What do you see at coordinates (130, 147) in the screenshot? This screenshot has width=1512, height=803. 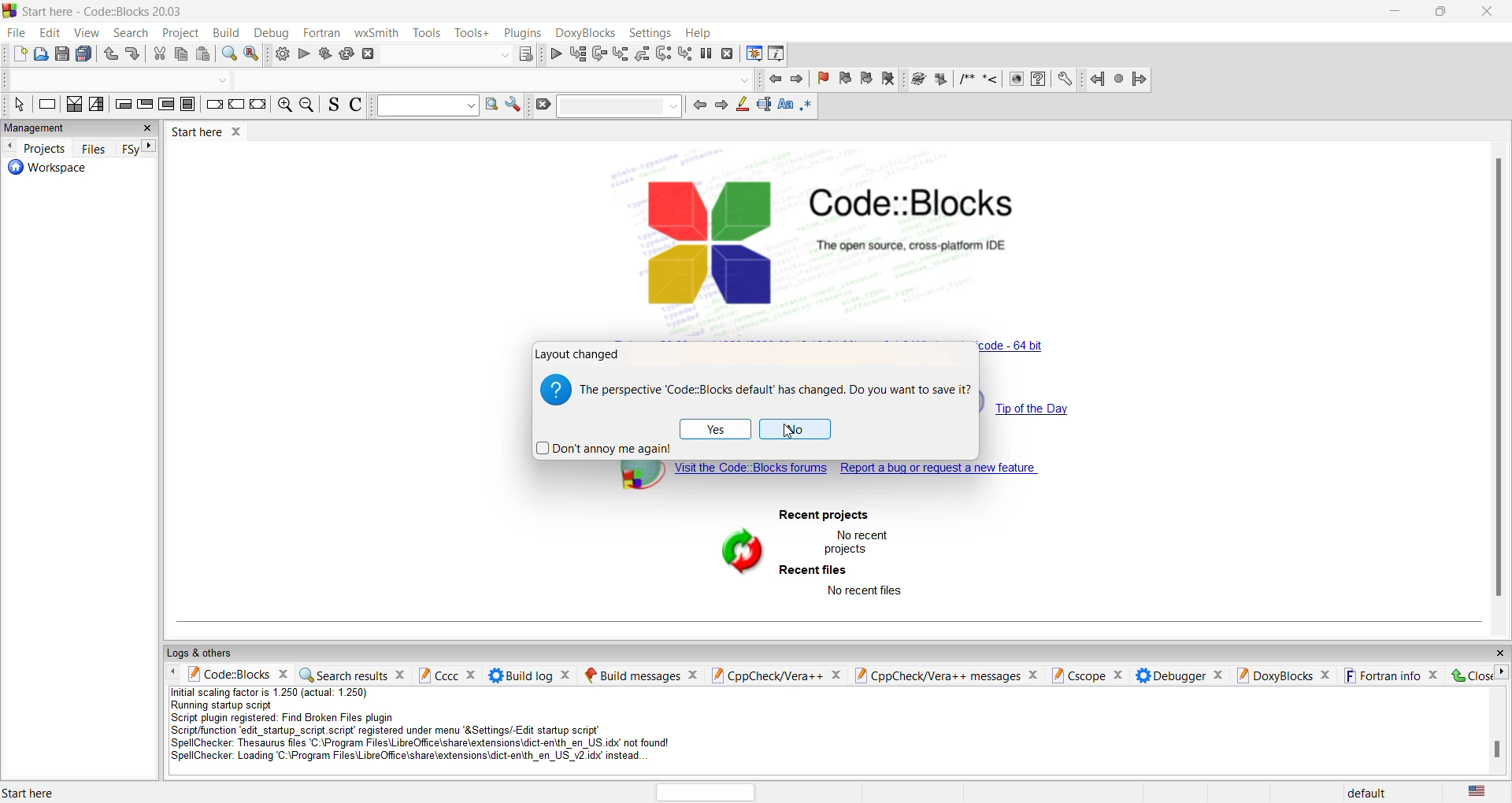 I see `sync` at bounding box center [130, 147].